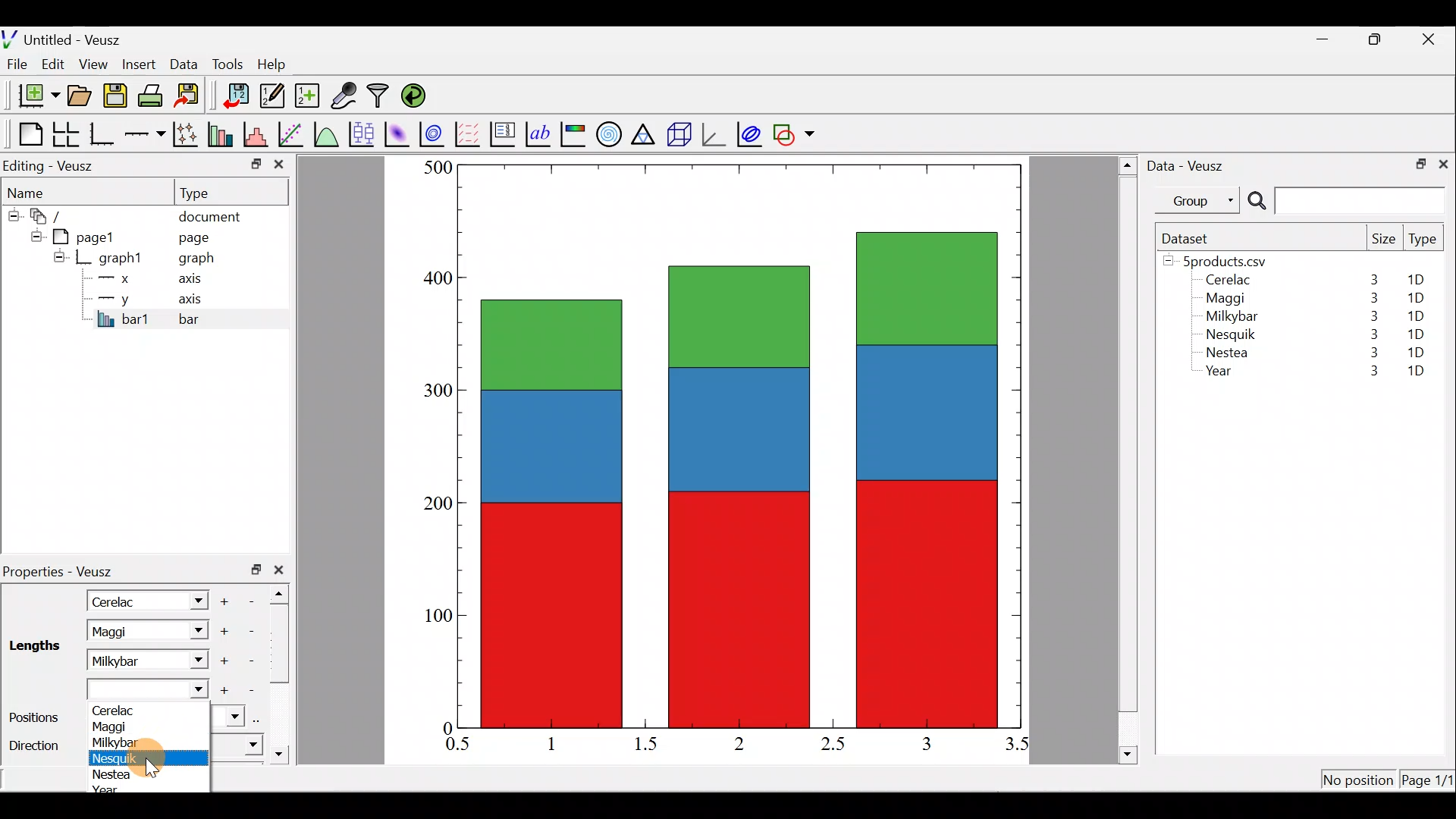 The image size is (1456, 819). I want to click on Text label, so click(540, 132).